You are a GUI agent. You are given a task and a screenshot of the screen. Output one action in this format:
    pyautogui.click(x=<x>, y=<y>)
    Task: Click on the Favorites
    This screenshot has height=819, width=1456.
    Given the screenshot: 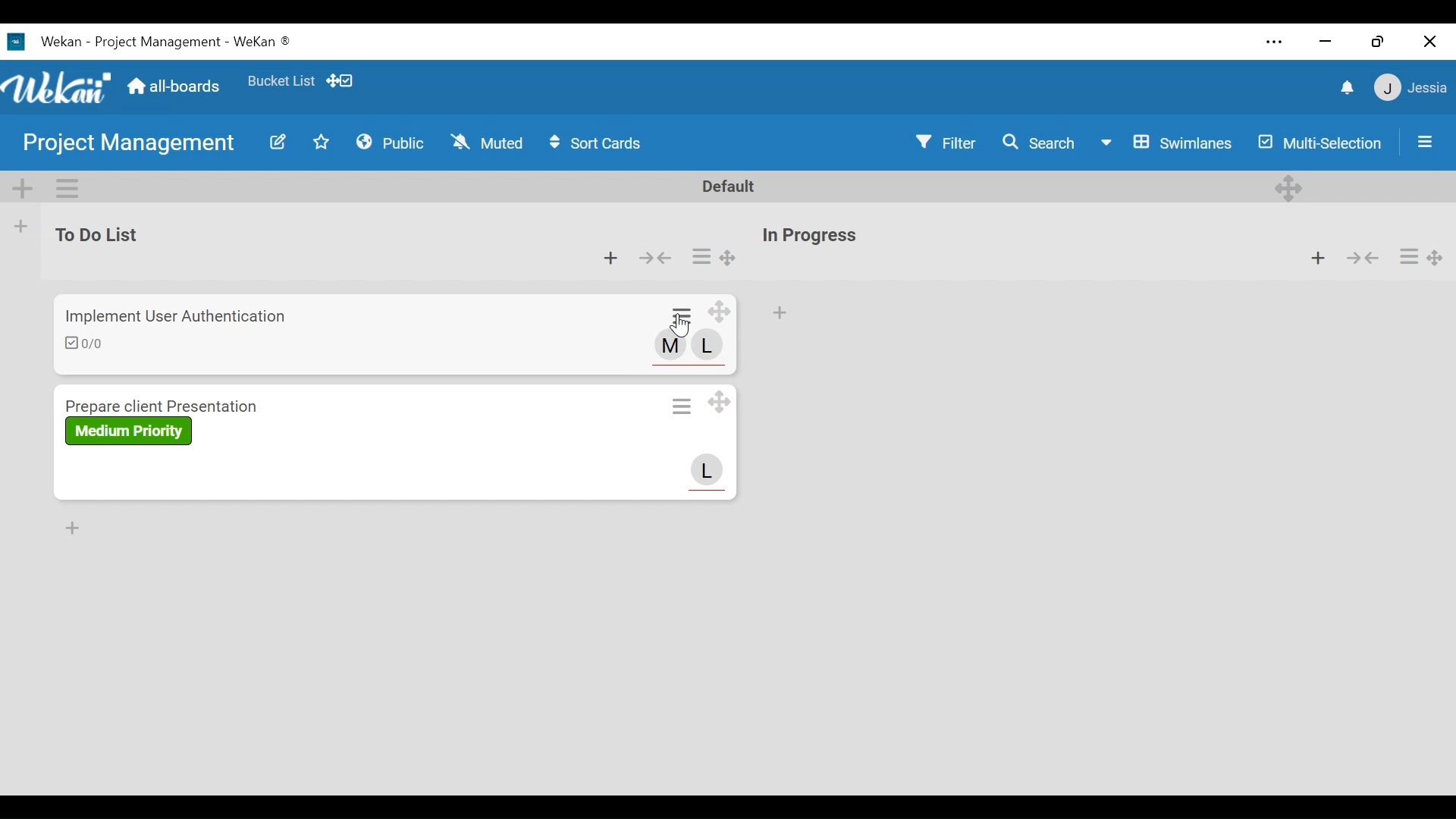 What is the action you would take?
    pyautogui.click(x=281, y=78)
    